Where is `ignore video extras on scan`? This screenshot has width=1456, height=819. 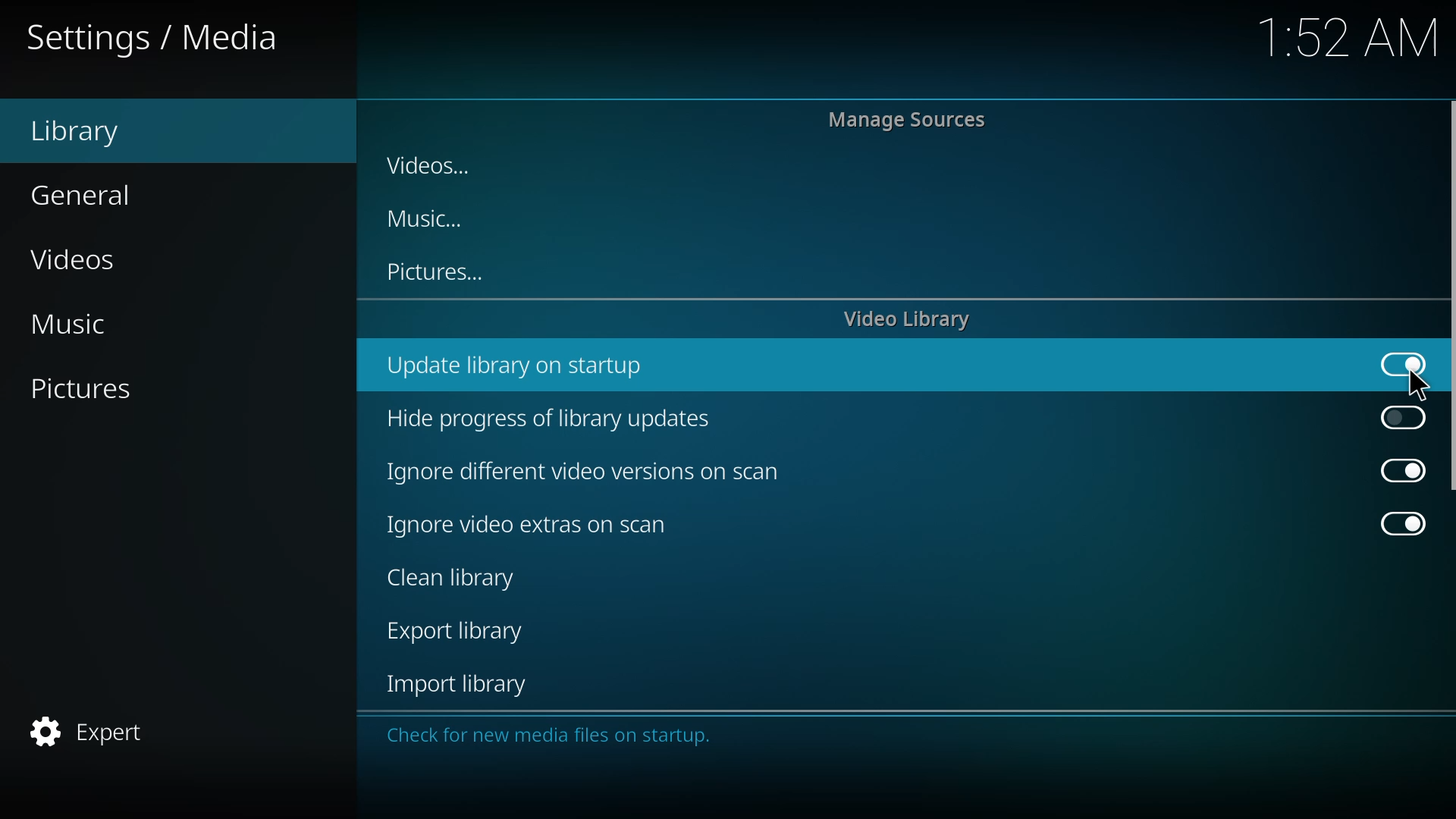 ignore video extras on scan is located at coordinates (538, 526).